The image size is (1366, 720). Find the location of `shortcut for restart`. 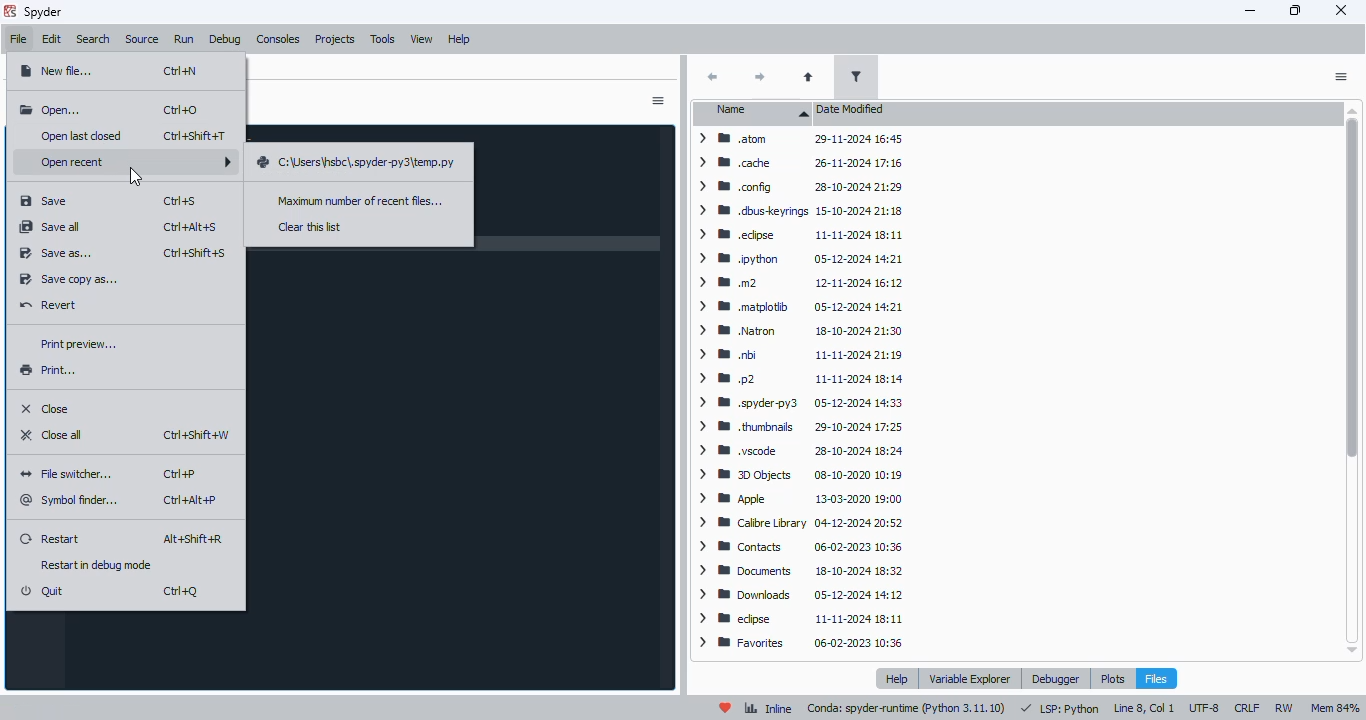

shortcut for restart is located at coordinates (195, 539).